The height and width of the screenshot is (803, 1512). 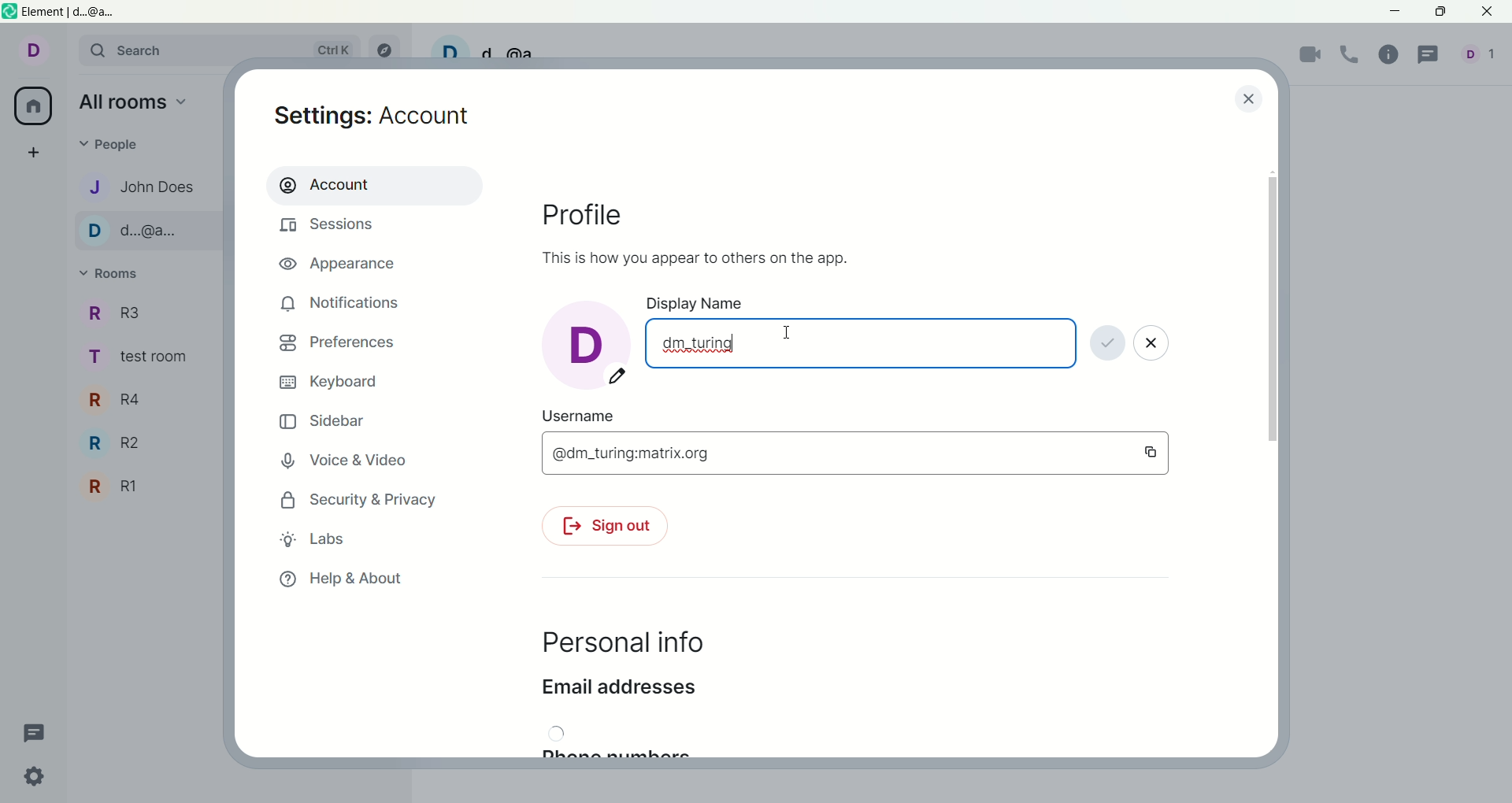 I want to click on people, so click(x=1482, y=58).